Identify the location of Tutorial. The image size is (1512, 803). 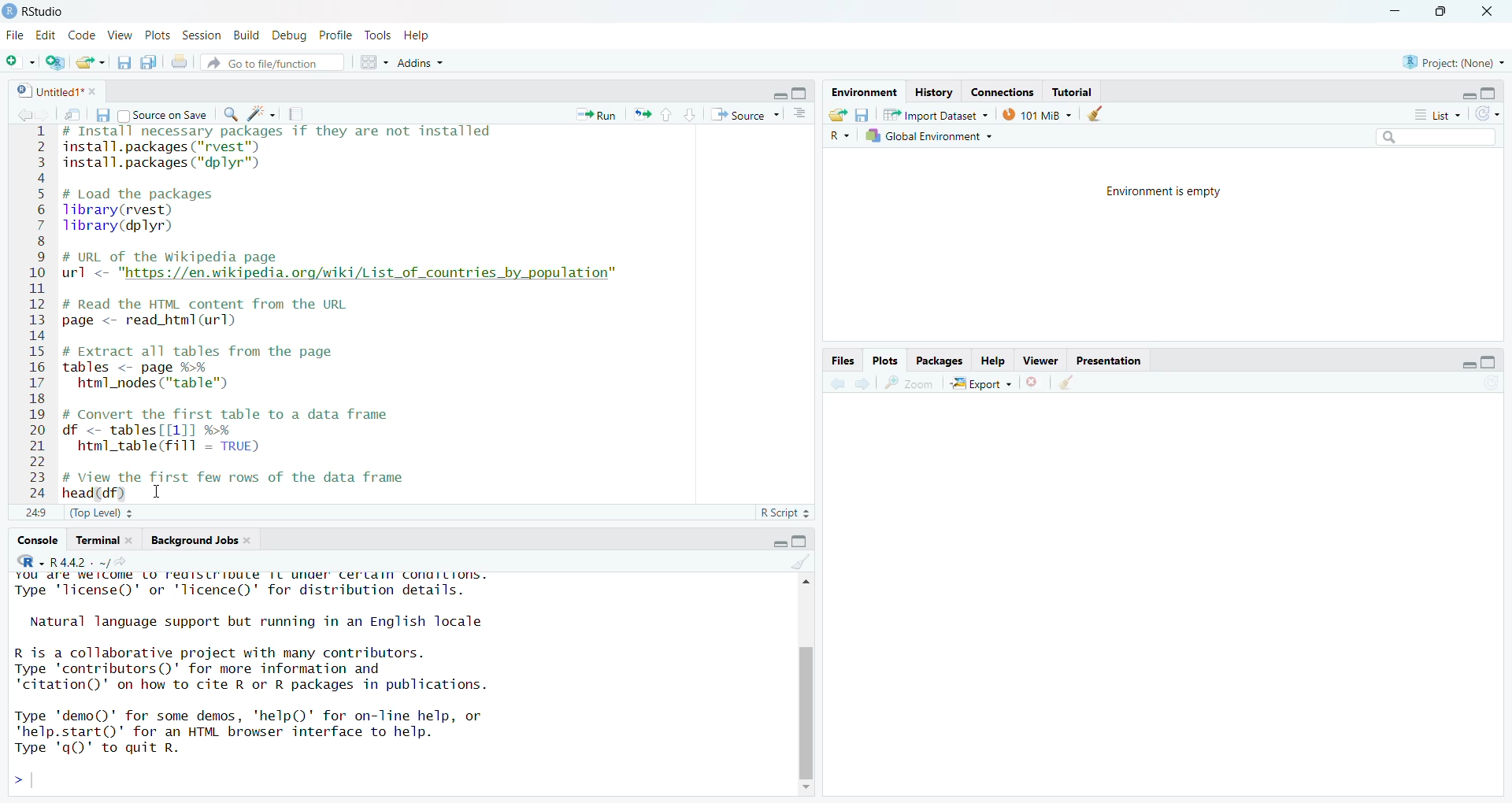
(1073, 92).